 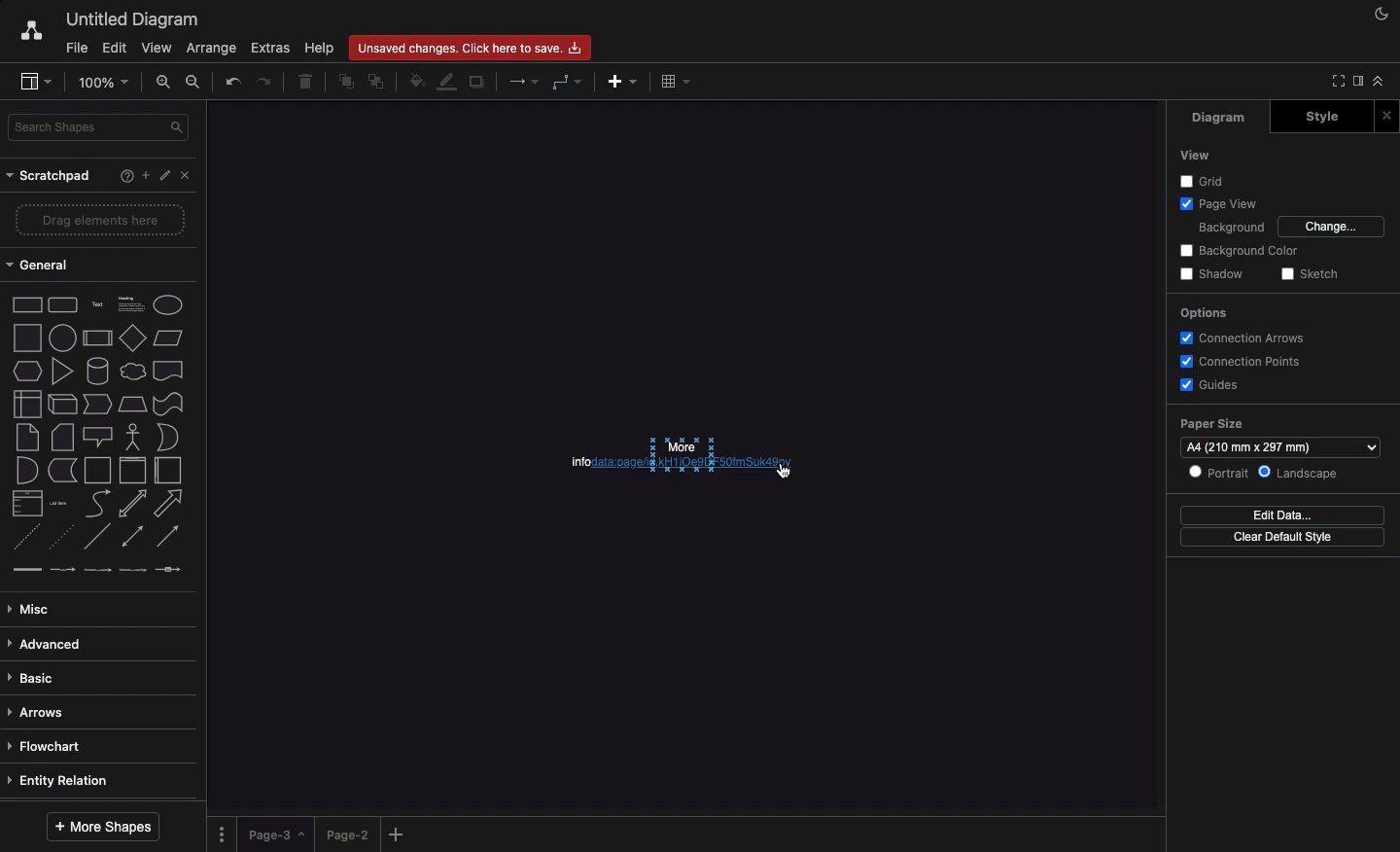 What do you see at coordinates (1198, 155) in the screenshot?
I see `View` at bounding box center [1198, 155].